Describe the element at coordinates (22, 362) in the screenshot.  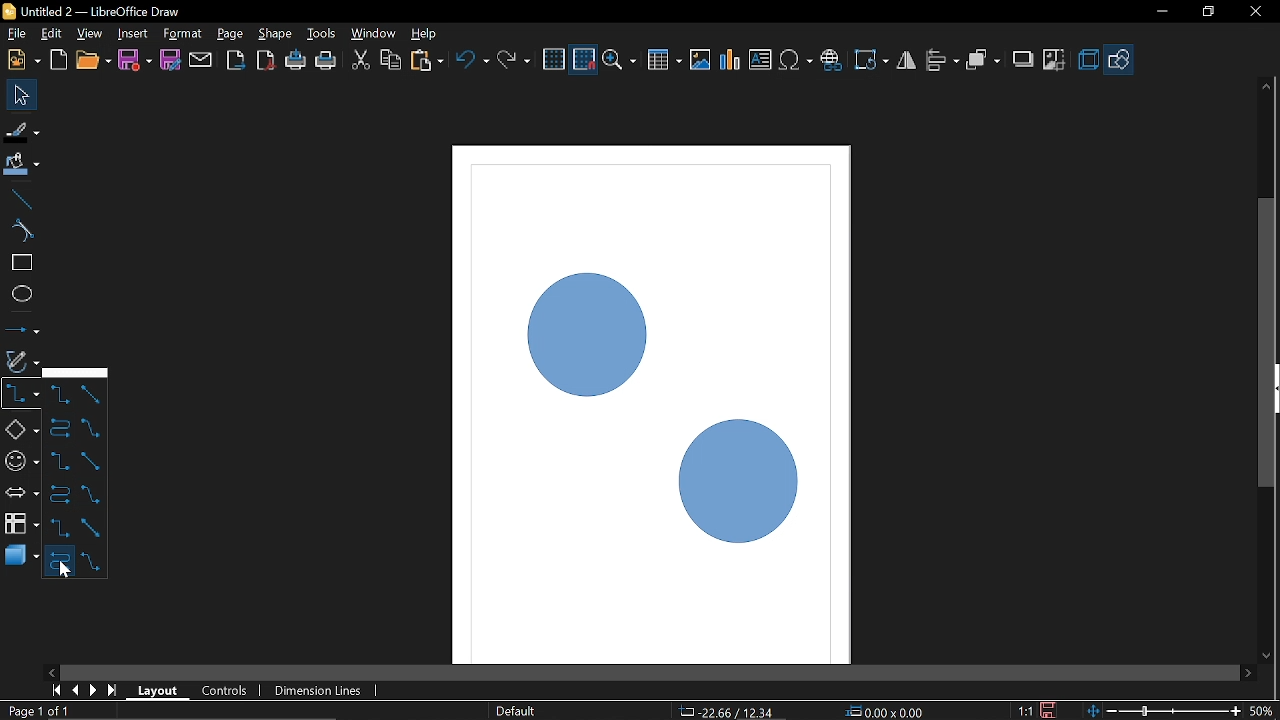
I see `Curves and polygons` at that location.